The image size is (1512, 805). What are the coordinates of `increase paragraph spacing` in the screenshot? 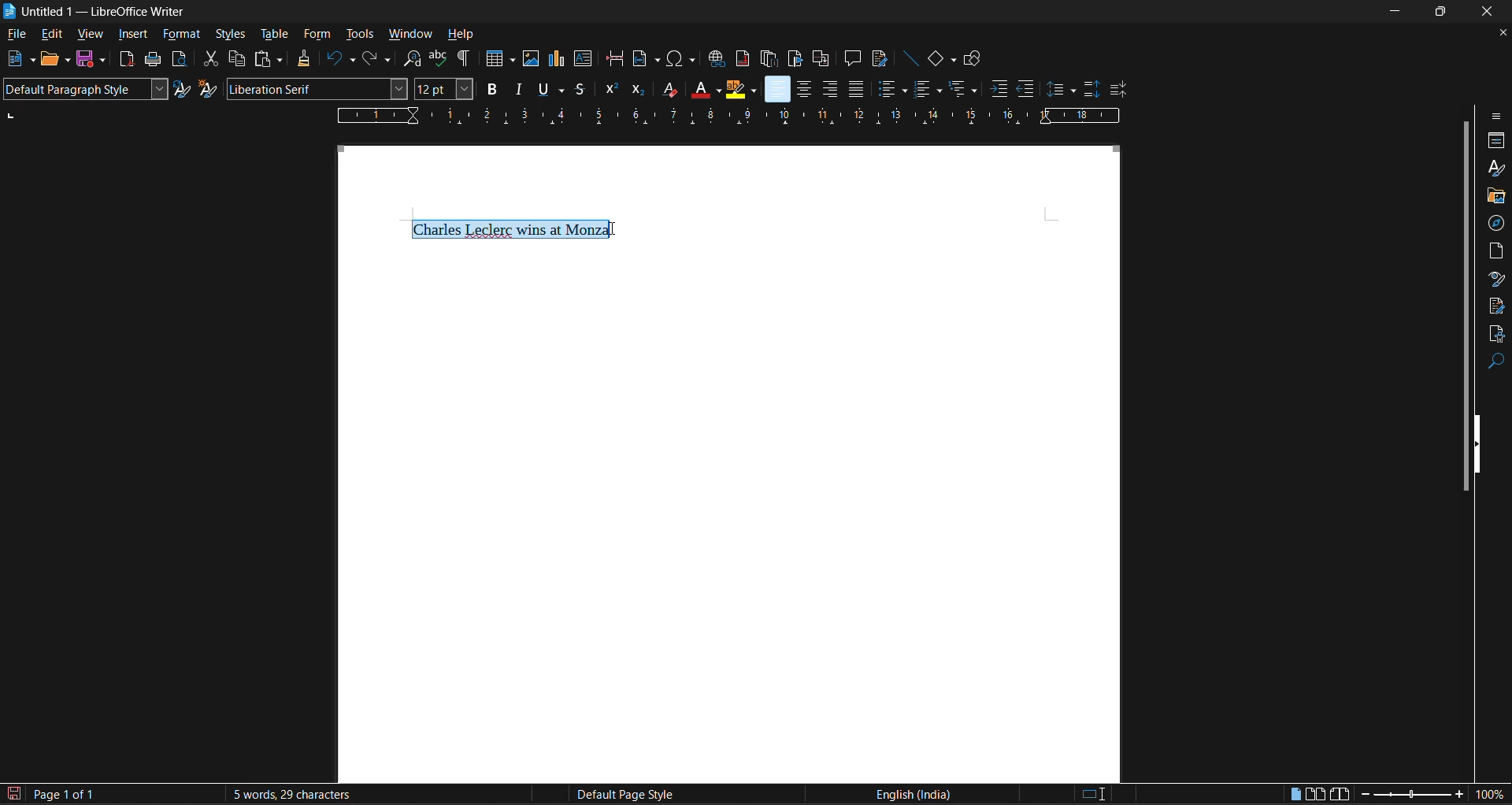 It's located at (1094, 90).